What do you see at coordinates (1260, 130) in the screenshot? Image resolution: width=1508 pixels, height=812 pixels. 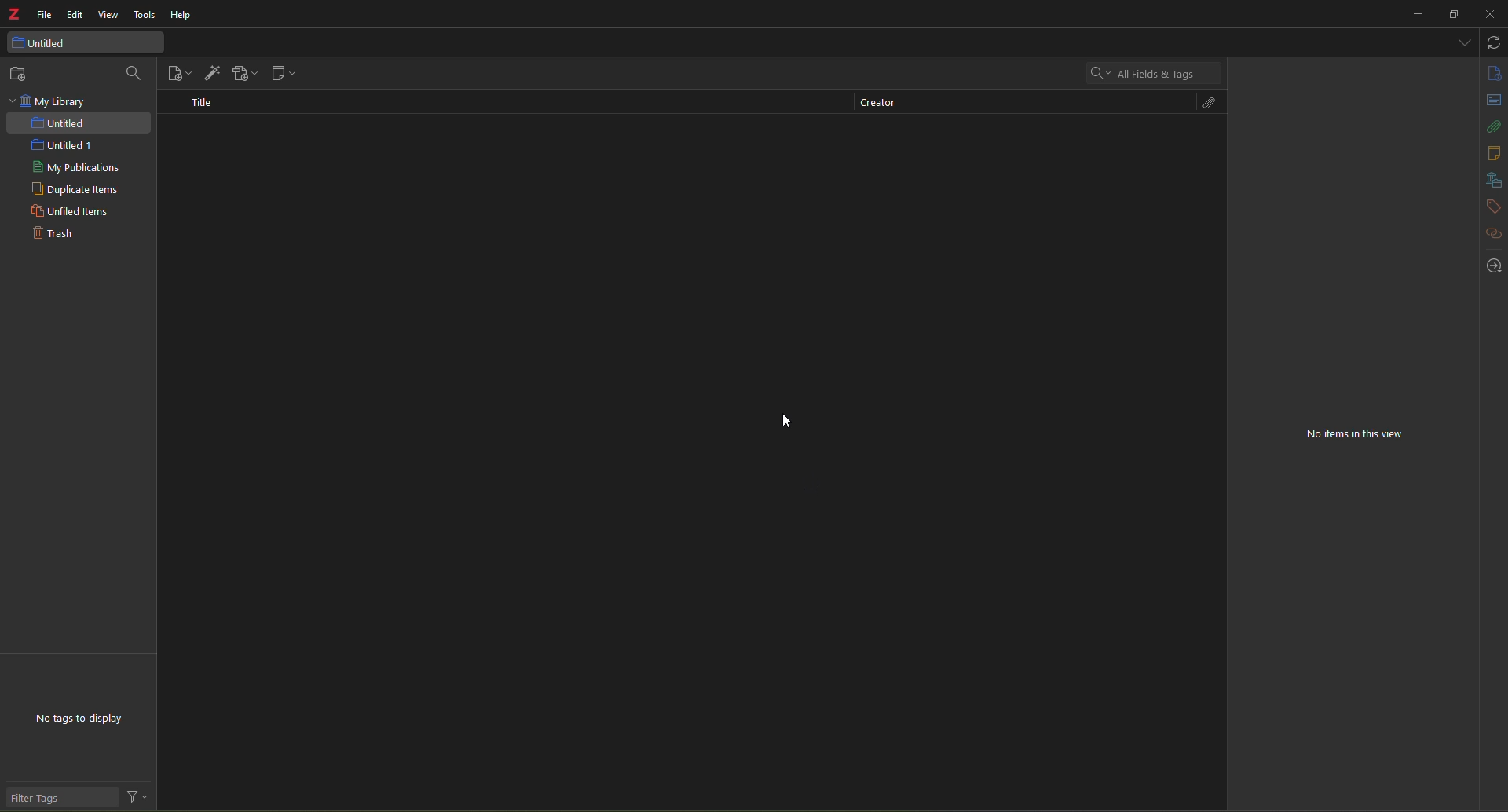 I see `abstract` at bounding box center [1260, 130].